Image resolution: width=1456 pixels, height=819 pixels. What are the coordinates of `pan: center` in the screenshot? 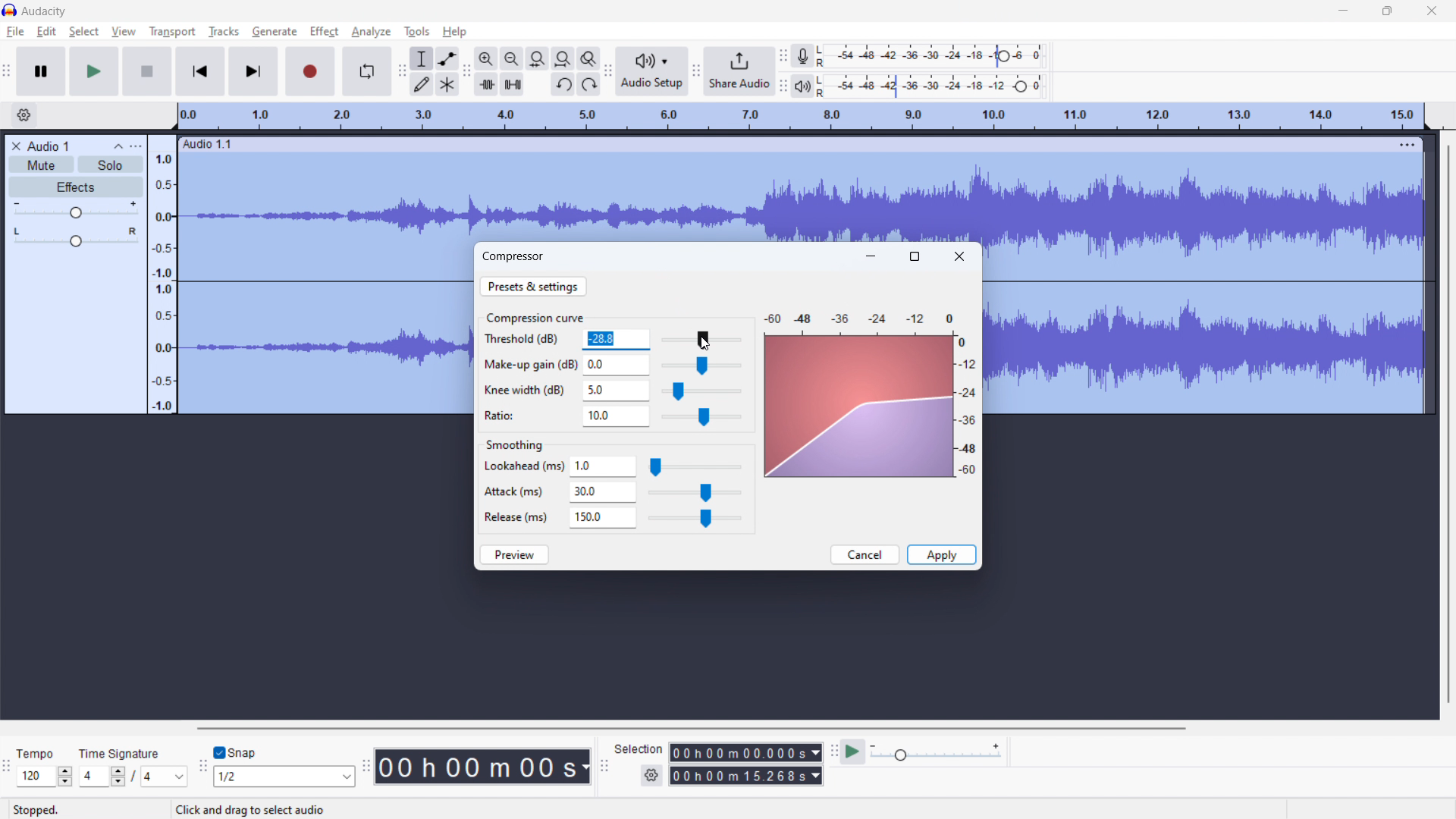 It's located at (75, 237).